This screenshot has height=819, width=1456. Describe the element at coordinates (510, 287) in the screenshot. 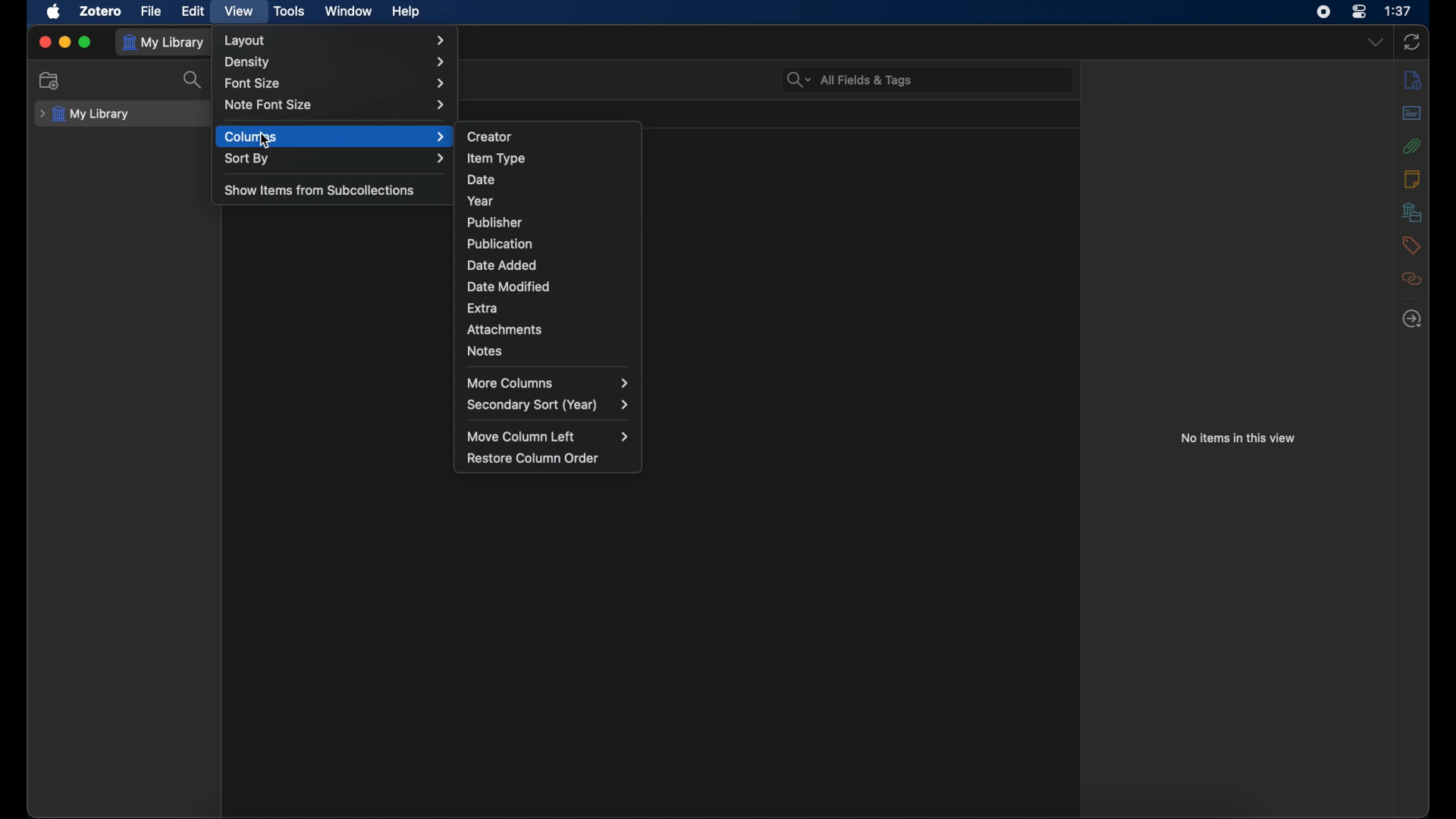

I see `date modified` at that location.